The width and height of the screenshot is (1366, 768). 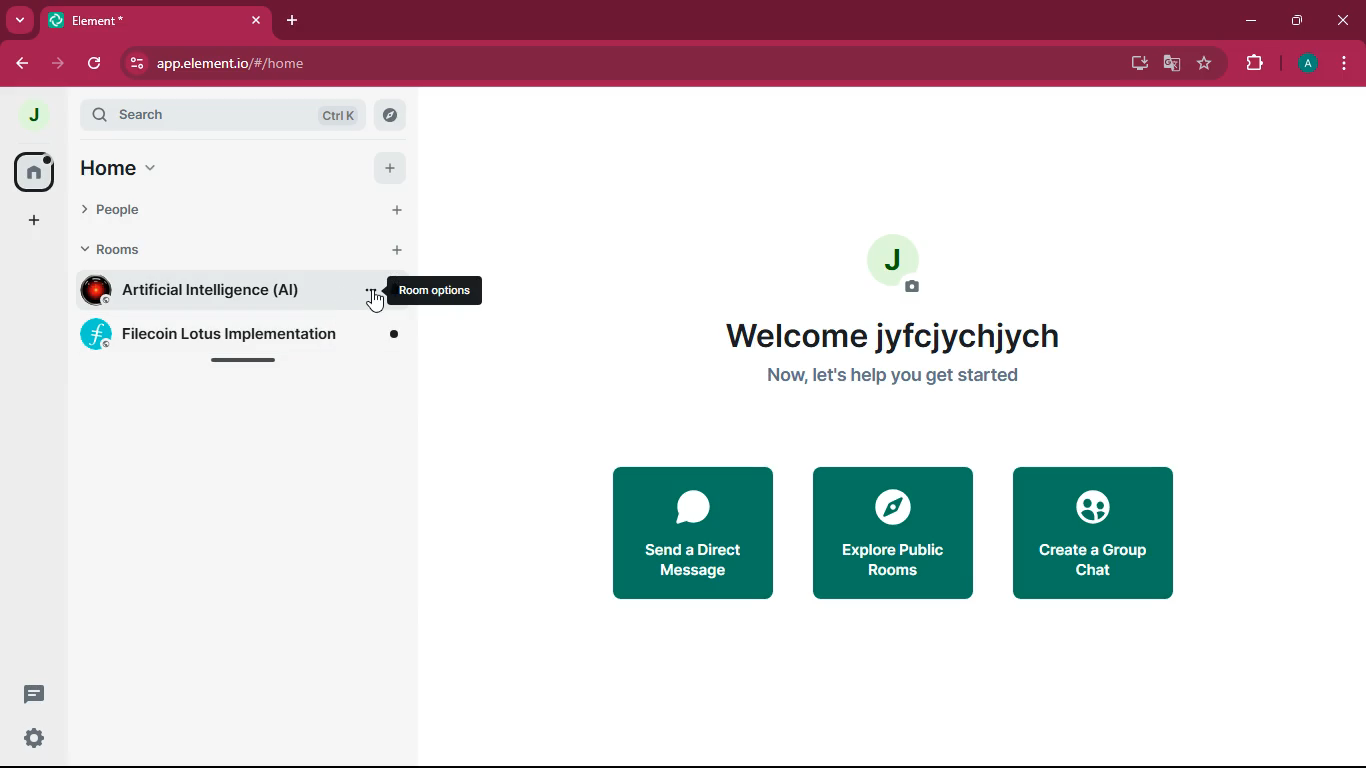 I want to click on close, so click(x=1340, y=18).